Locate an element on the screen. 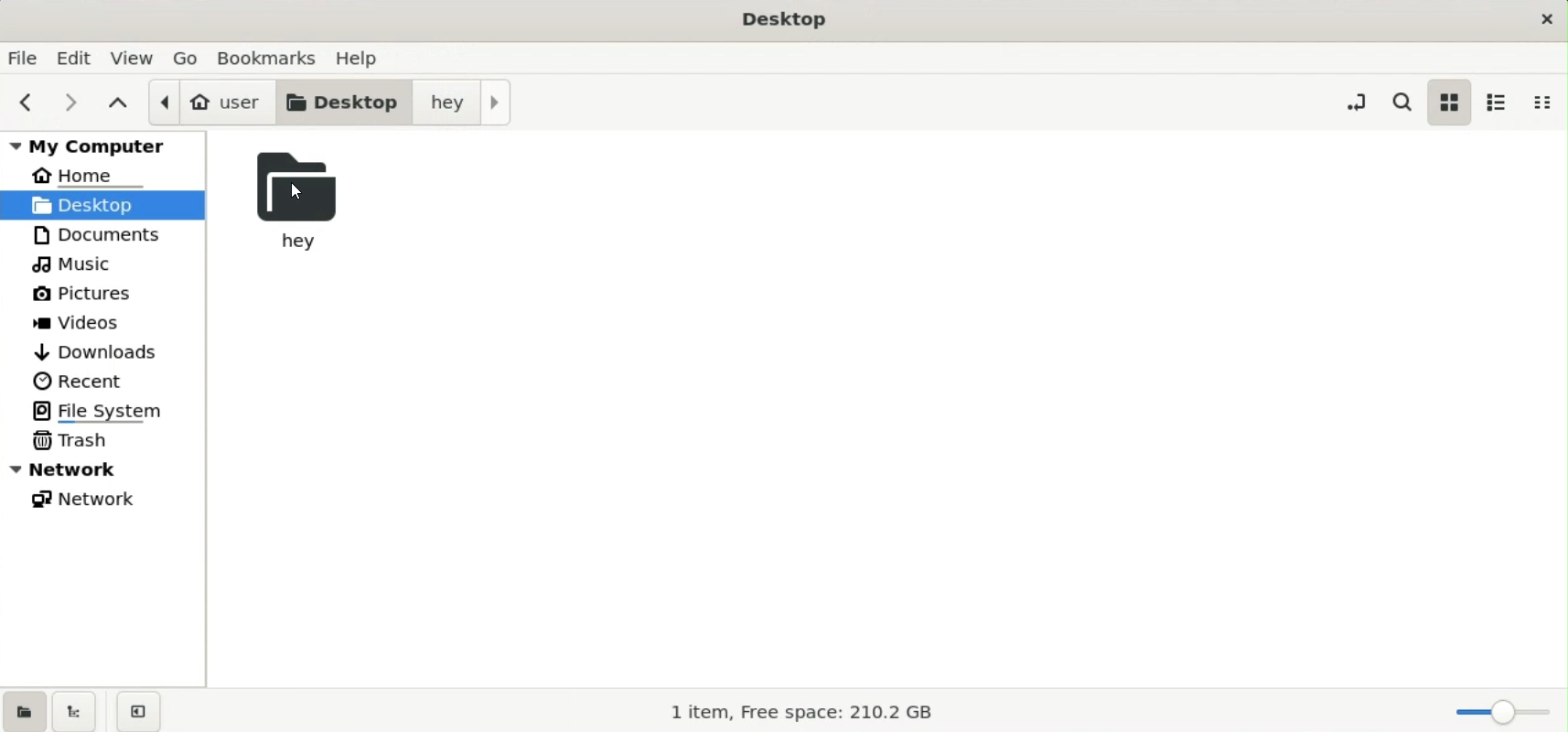 The width and height of the screenshot is (1568, 732). view is located at coordinates (134, 57).